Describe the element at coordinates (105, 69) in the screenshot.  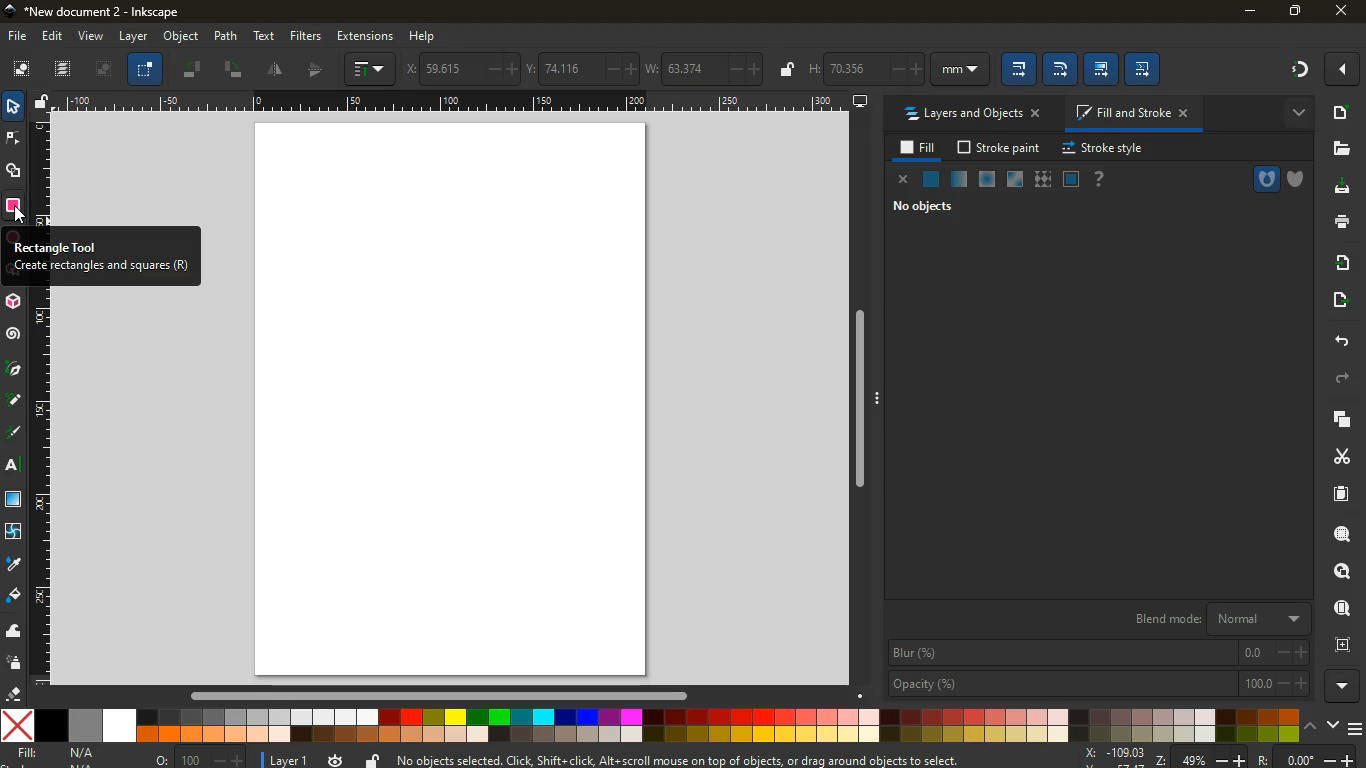
I see `photo` at that location.